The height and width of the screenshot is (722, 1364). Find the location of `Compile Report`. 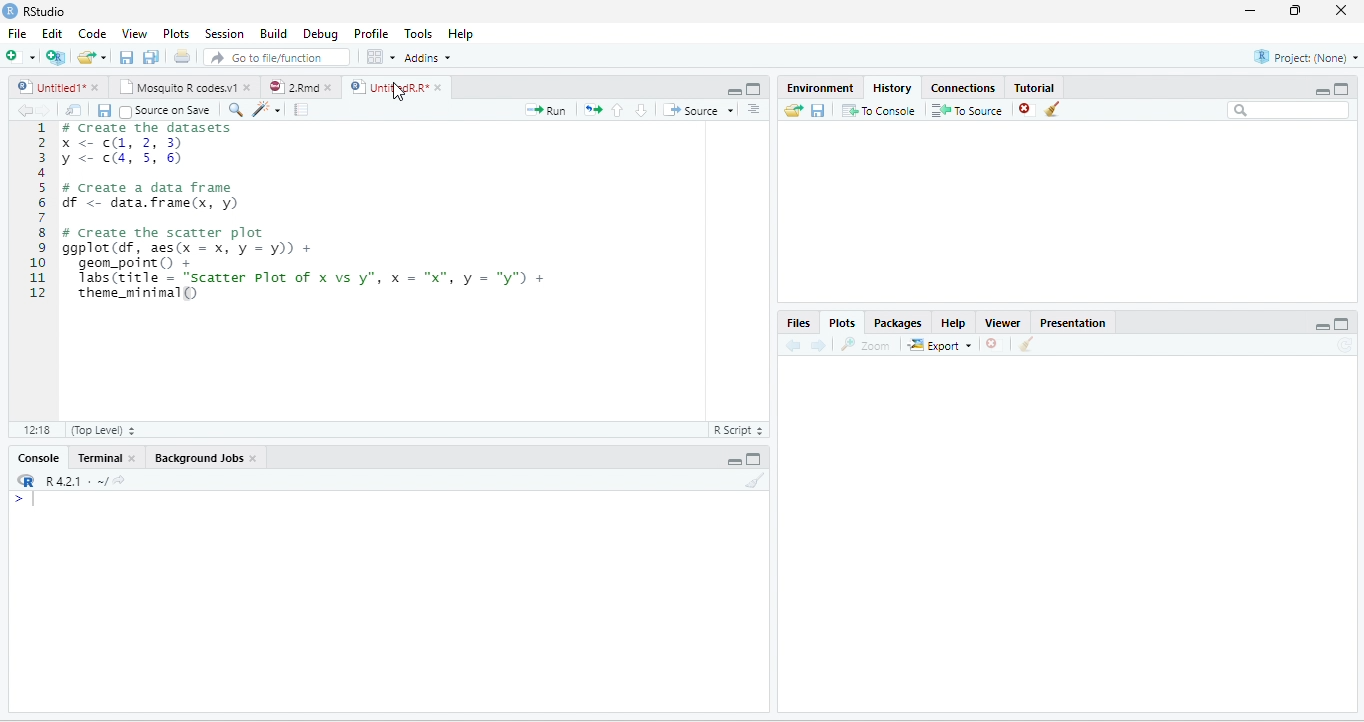

Compile Report is located at coordinates (301, 110).